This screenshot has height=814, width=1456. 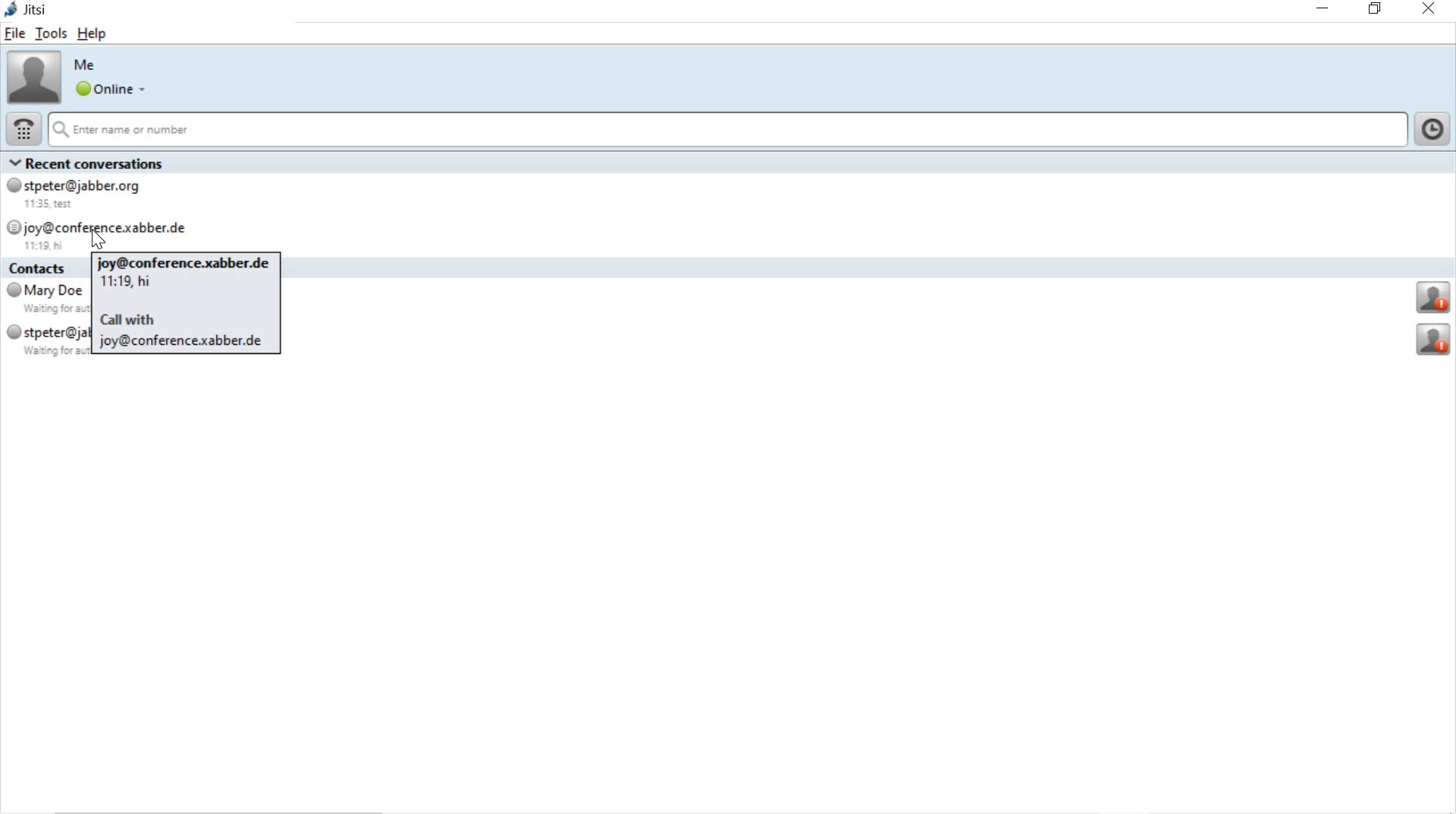 What do you see at coordinates (108, 163) in the screenshot?
I see `Recent conversations` at bounding box center [108, 163].